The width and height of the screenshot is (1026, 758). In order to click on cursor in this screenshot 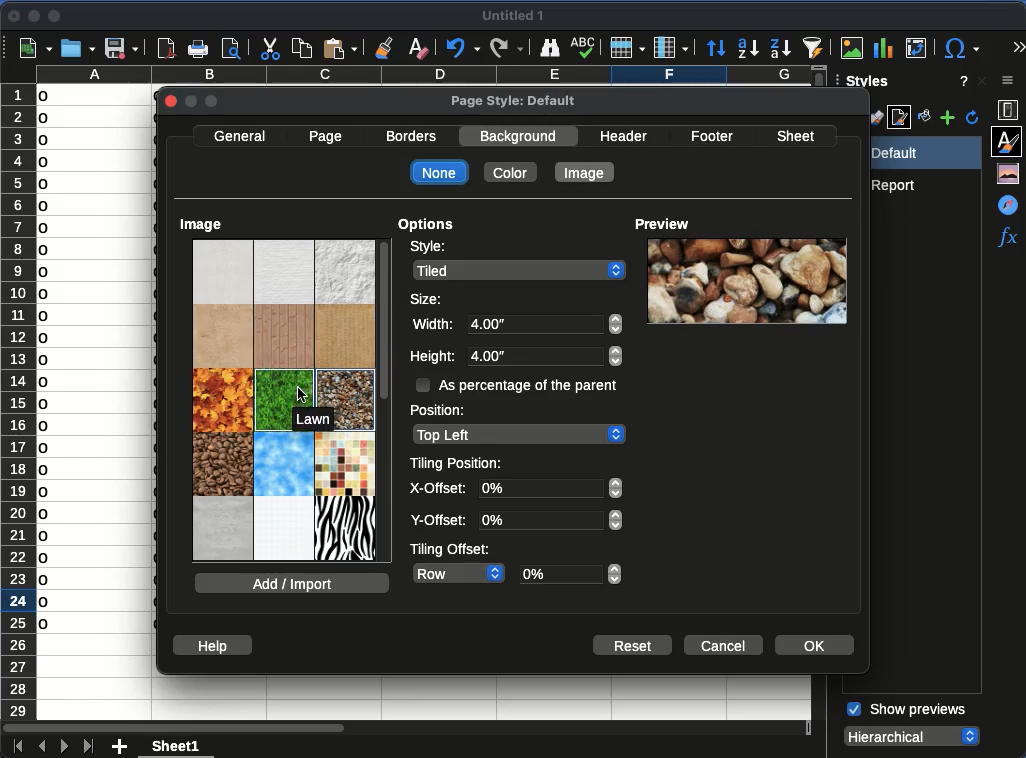, I will do `click(303, 395)`.